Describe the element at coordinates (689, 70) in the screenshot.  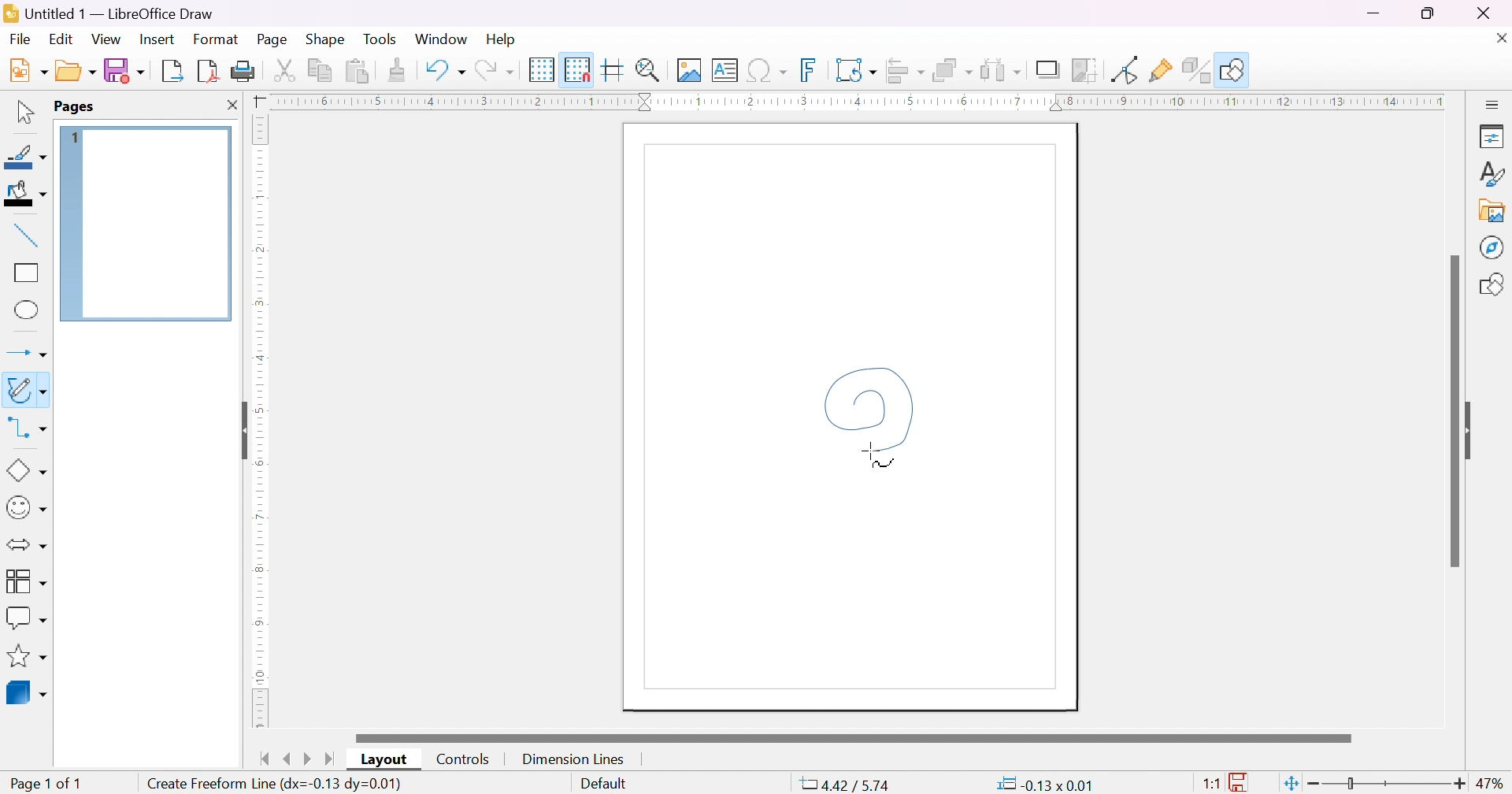
I see `insert image` at that location.